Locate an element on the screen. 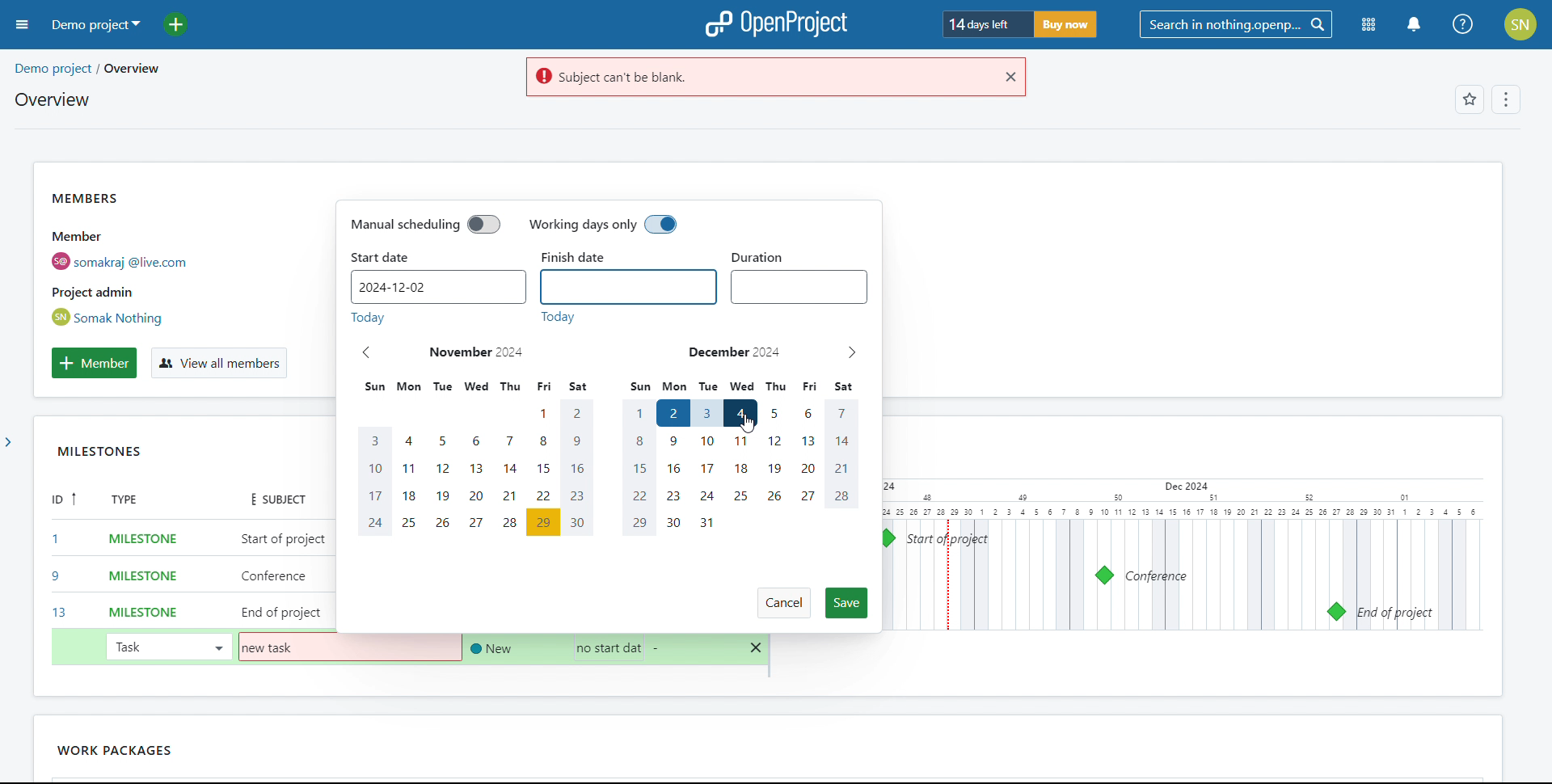  add member is located at coordinates (94, 363).